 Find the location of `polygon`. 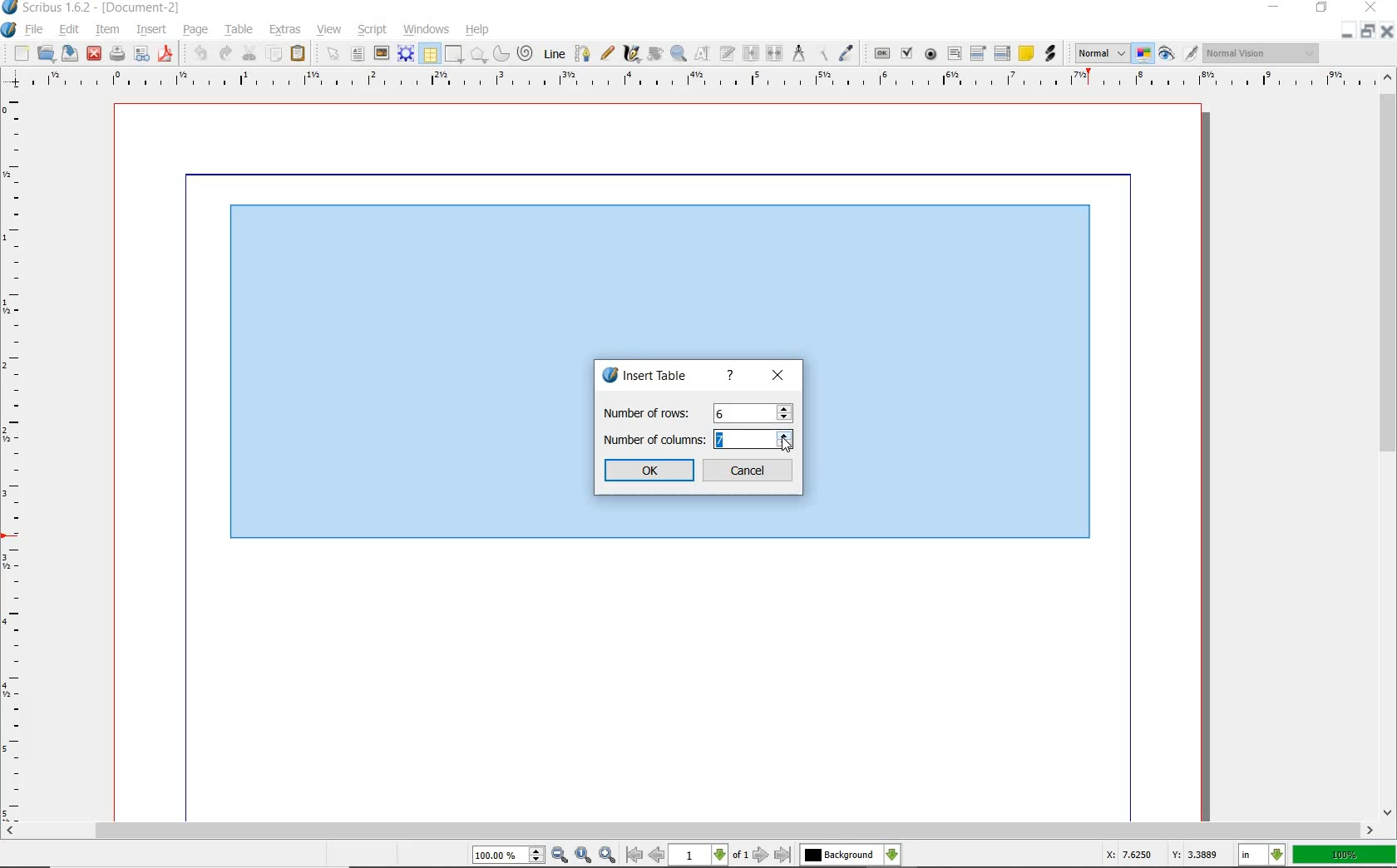

polygon is located at coordinates (478, 55).